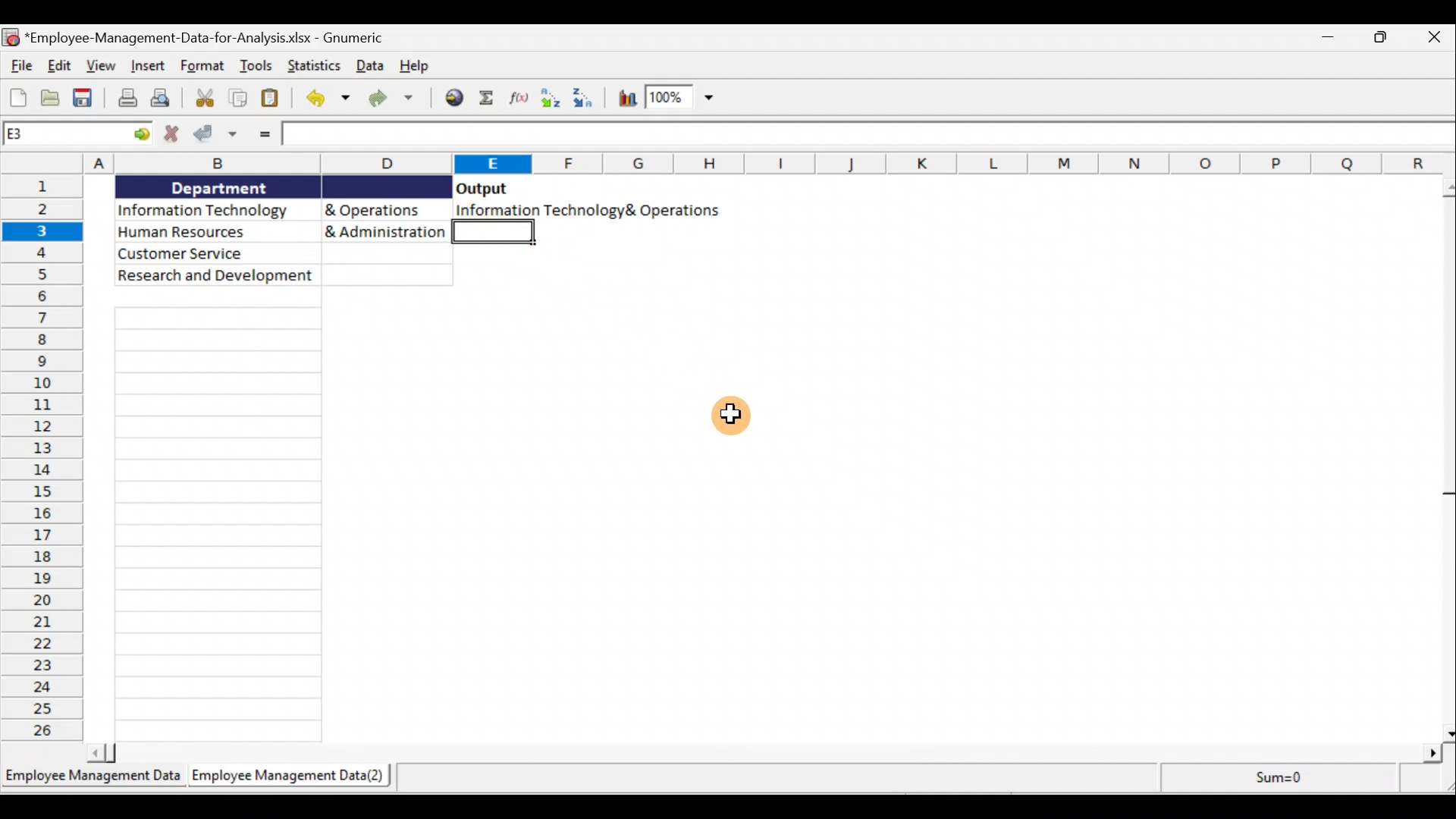 This screenshot has height=819, width=1456. I want to click on Close, so click(1433, 40).